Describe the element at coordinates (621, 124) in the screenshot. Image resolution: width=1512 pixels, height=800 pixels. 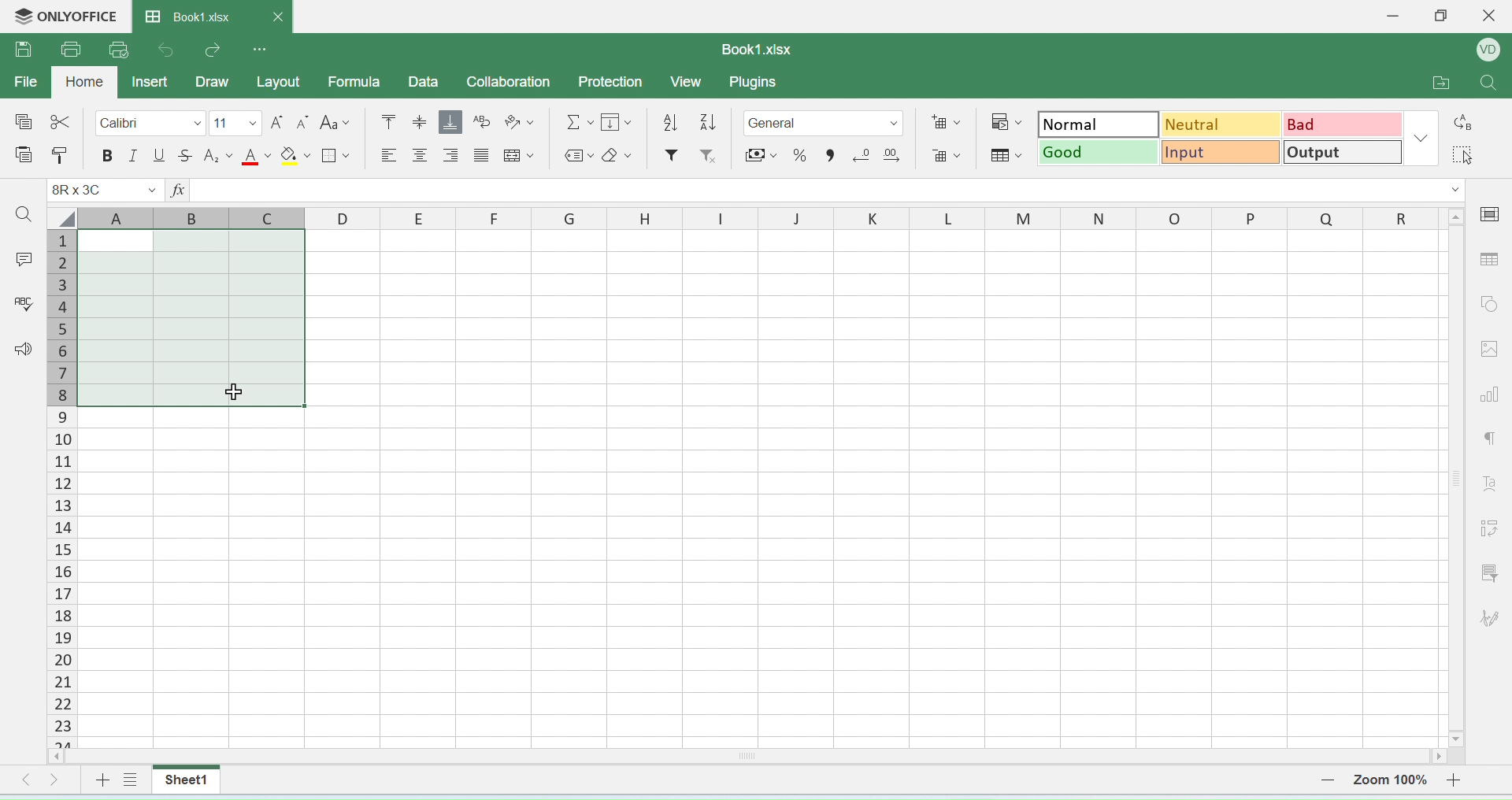
I see `fill` at that location.